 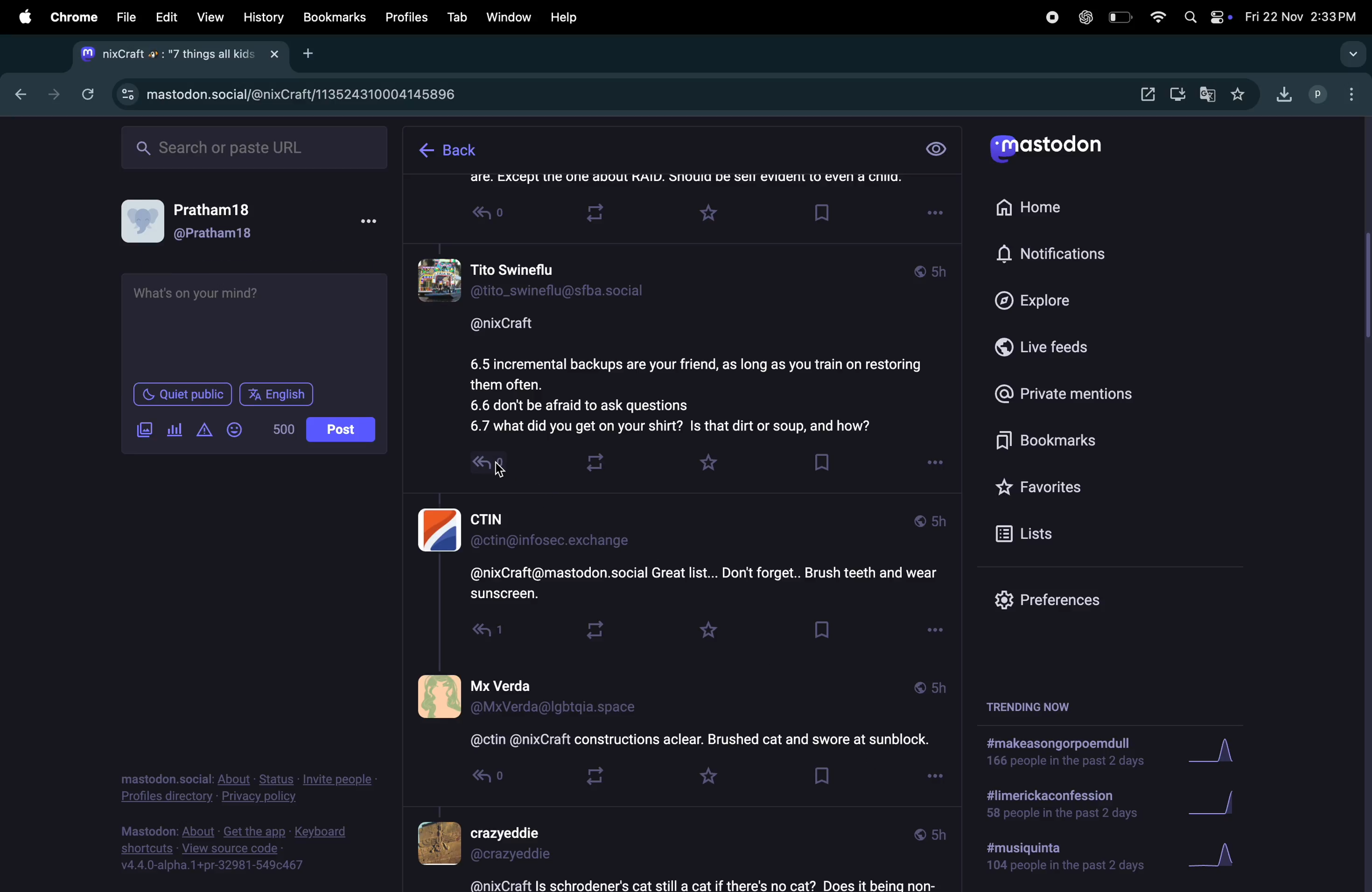 I want to click on record, so click(x=1049, y=18).